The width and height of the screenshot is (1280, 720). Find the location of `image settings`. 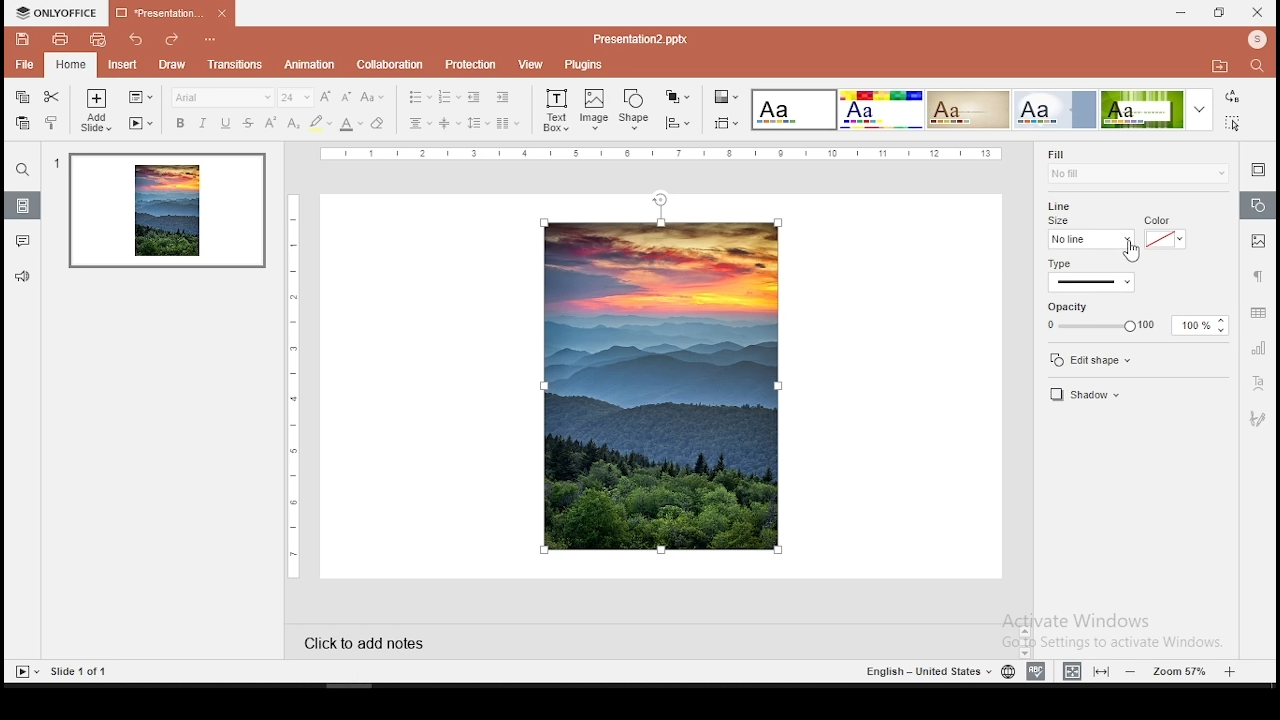

image settings is located at coordinates (1257, 241).